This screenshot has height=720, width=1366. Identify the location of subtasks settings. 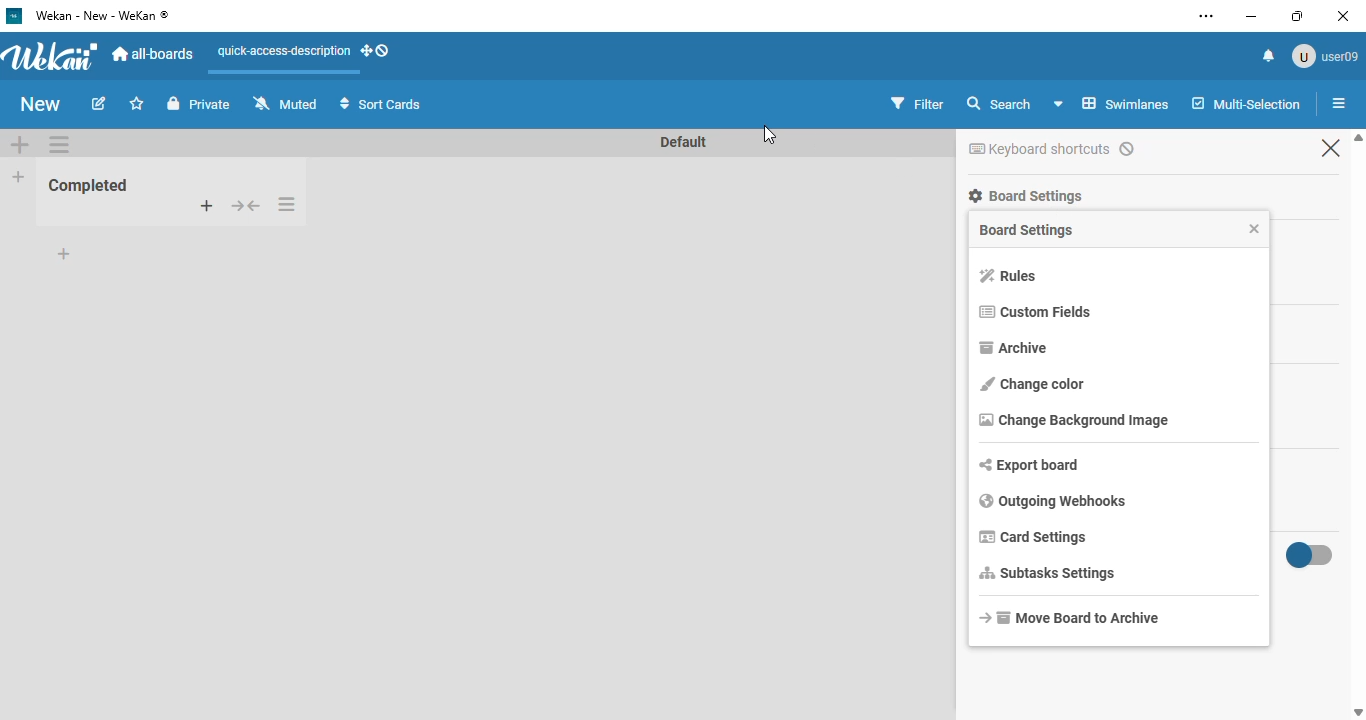
(1048, 574).